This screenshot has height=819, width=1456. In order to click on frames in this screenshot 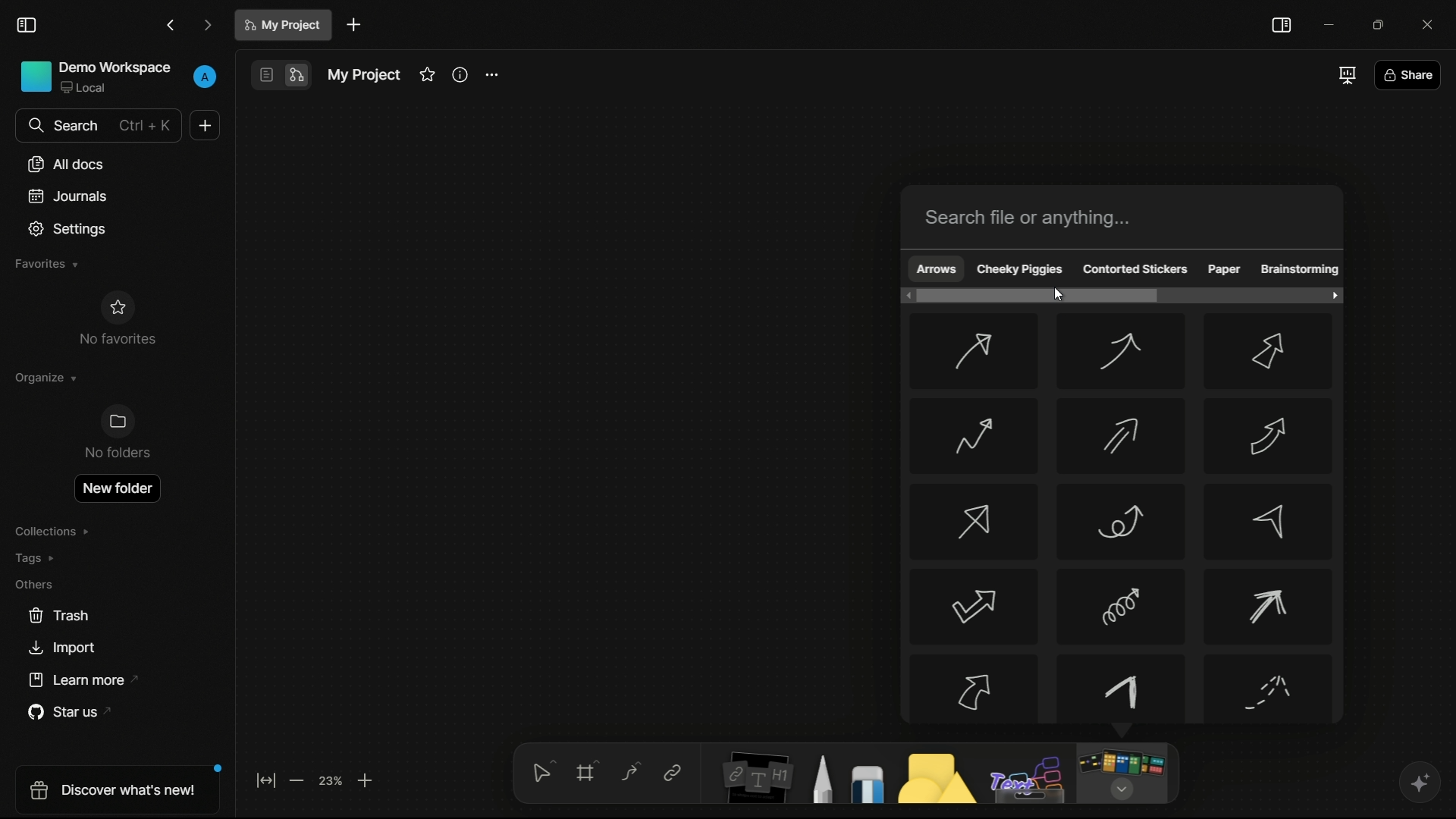, I will do `click(589, 770)`.